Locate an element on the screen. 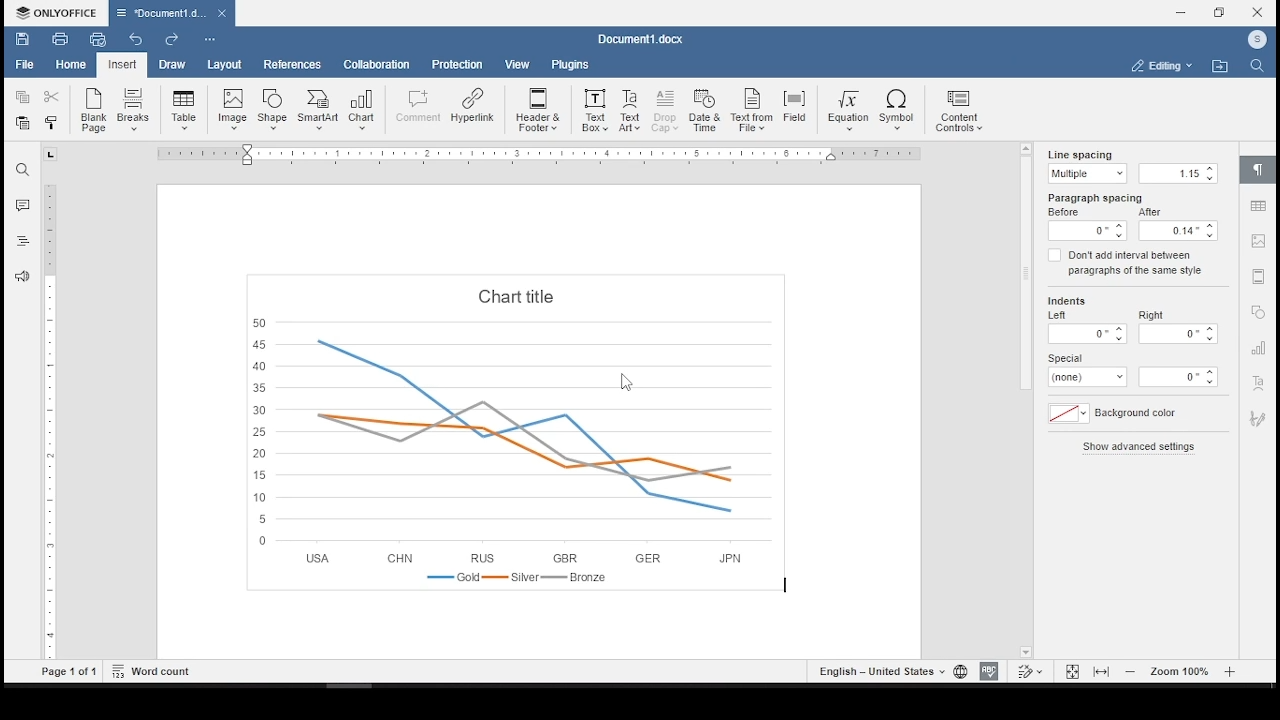 Image resolution: width=1280 pixels, height=720 pixels. field is located at coordinates (798, 109).